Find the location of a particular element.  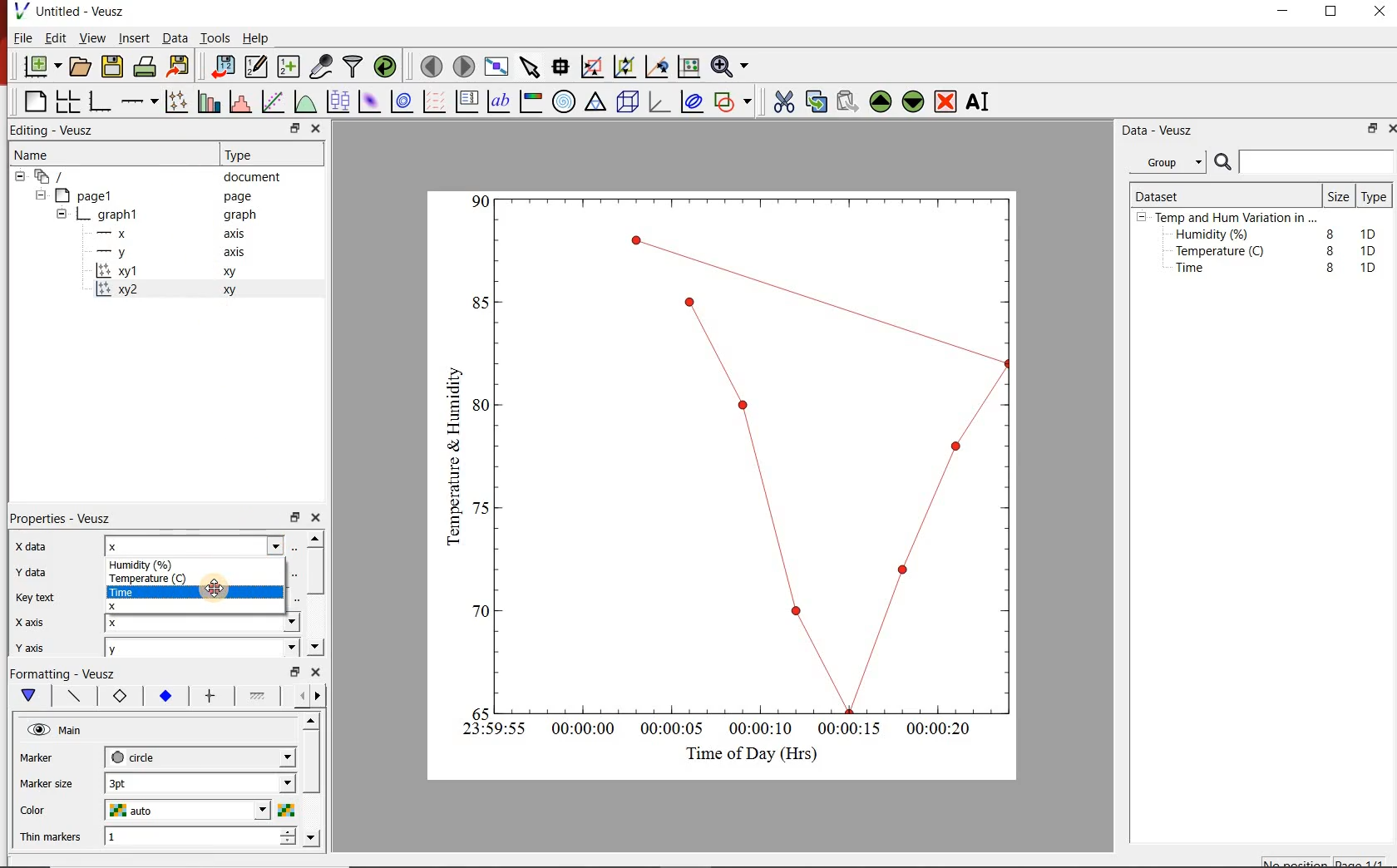

y data is located at coordinates (37, 570).